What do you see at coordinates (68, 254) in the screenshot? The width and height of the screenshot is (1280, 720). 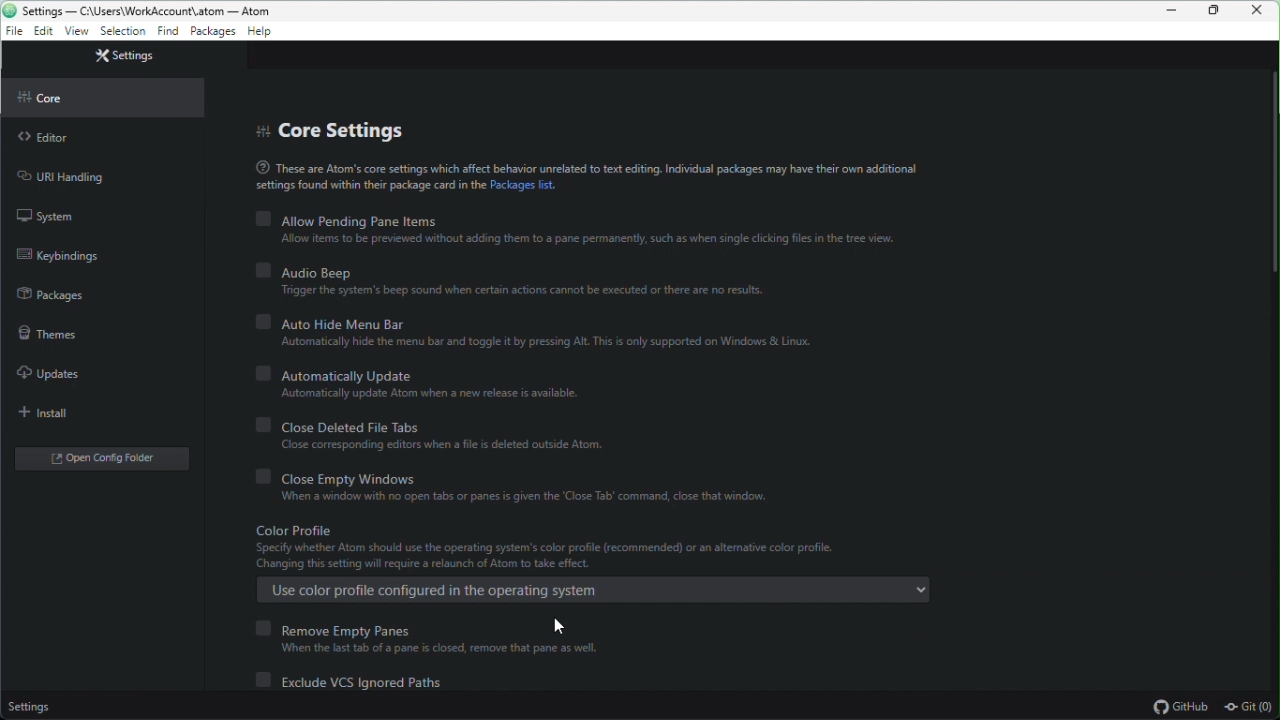 I see `Keybinding` at bounding box center [68, 254].